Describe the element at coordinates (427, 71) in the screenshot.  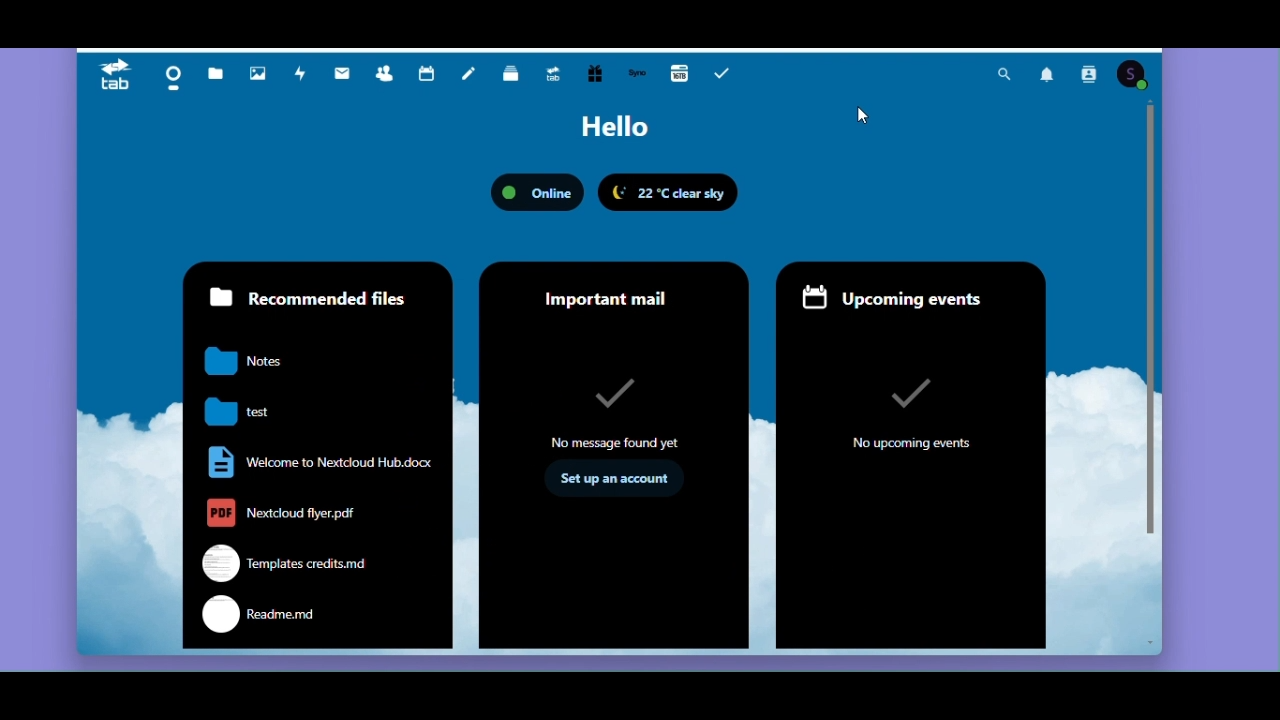
I see `Calendar` at that location.